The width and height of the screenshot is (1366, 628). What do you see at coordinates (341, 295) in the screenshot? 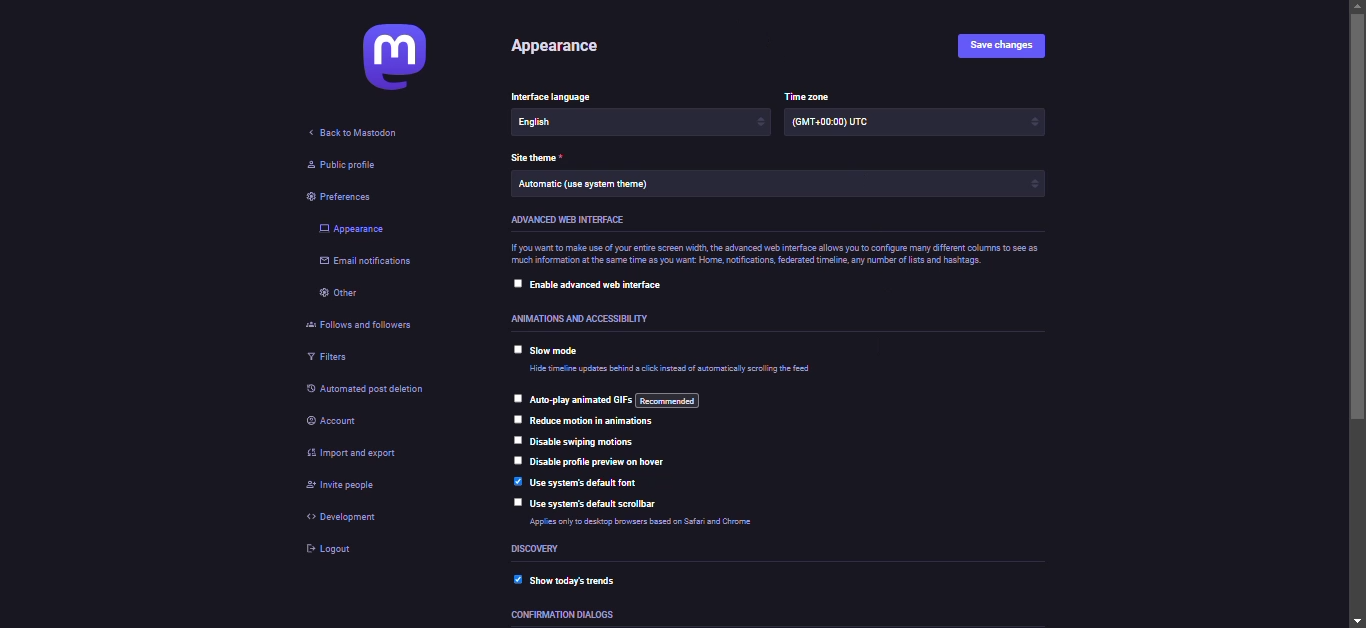
I see `other` at bounding box center [341, 295].